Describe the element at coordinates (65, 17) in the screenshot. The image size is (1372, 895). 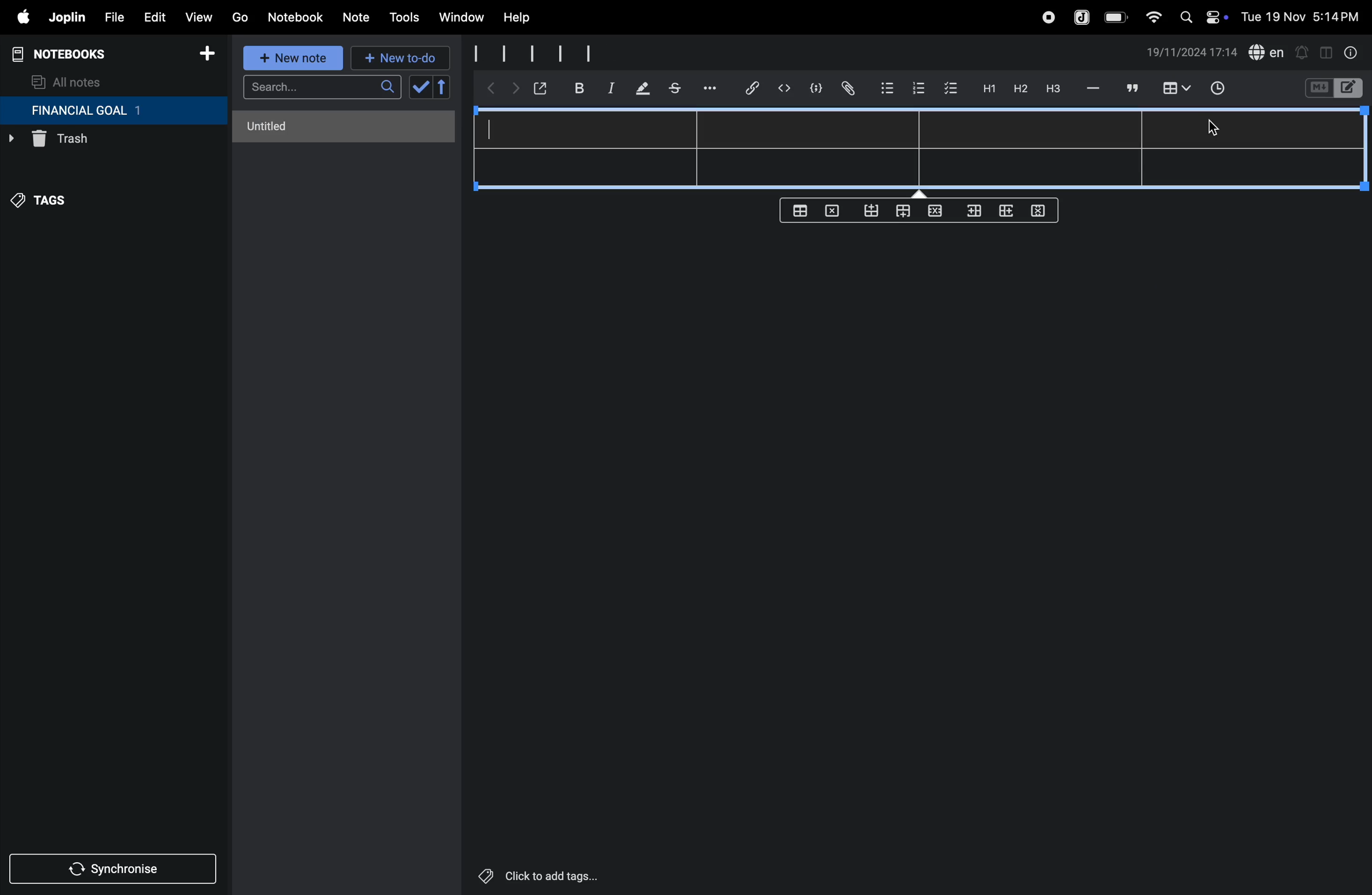
I see `joplin menu` at that location.